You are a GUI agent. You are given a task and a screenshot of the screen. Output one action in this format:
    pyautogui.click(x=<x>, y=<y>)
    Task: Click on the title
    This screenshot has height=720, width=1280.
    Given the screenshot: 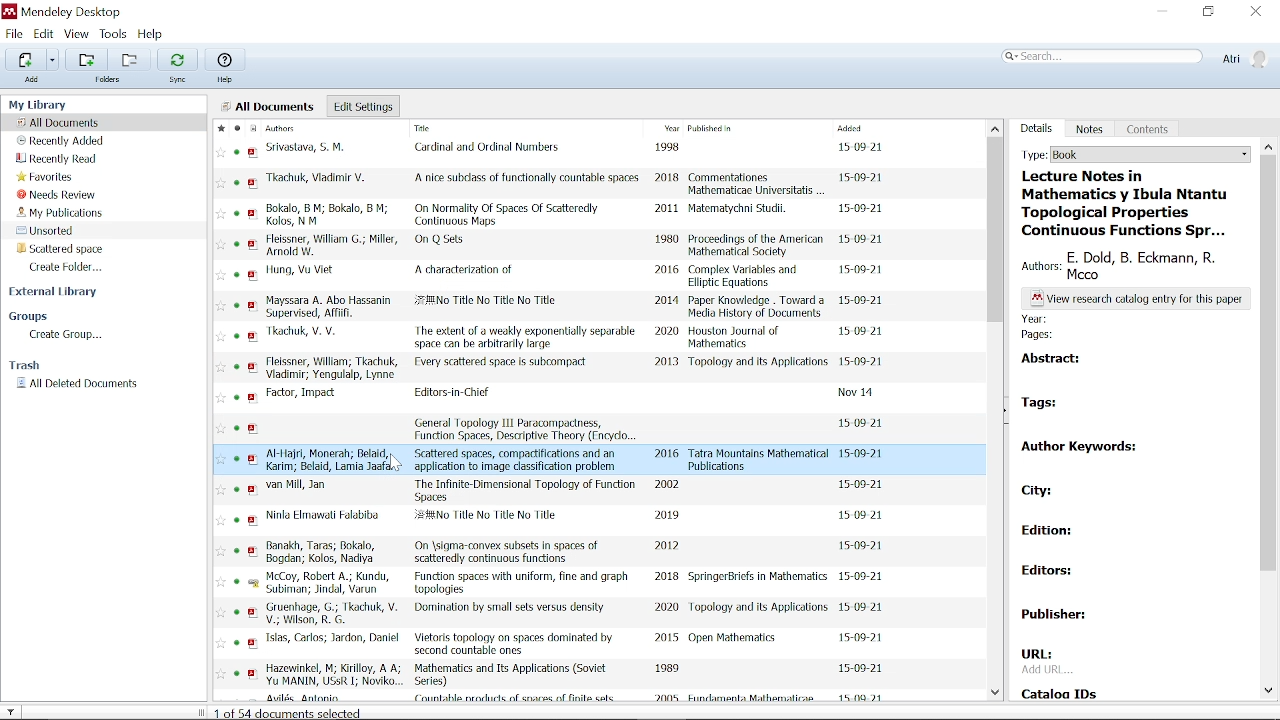 What is the action you would take?
    pyautogui.click(x=509, y=610)
    